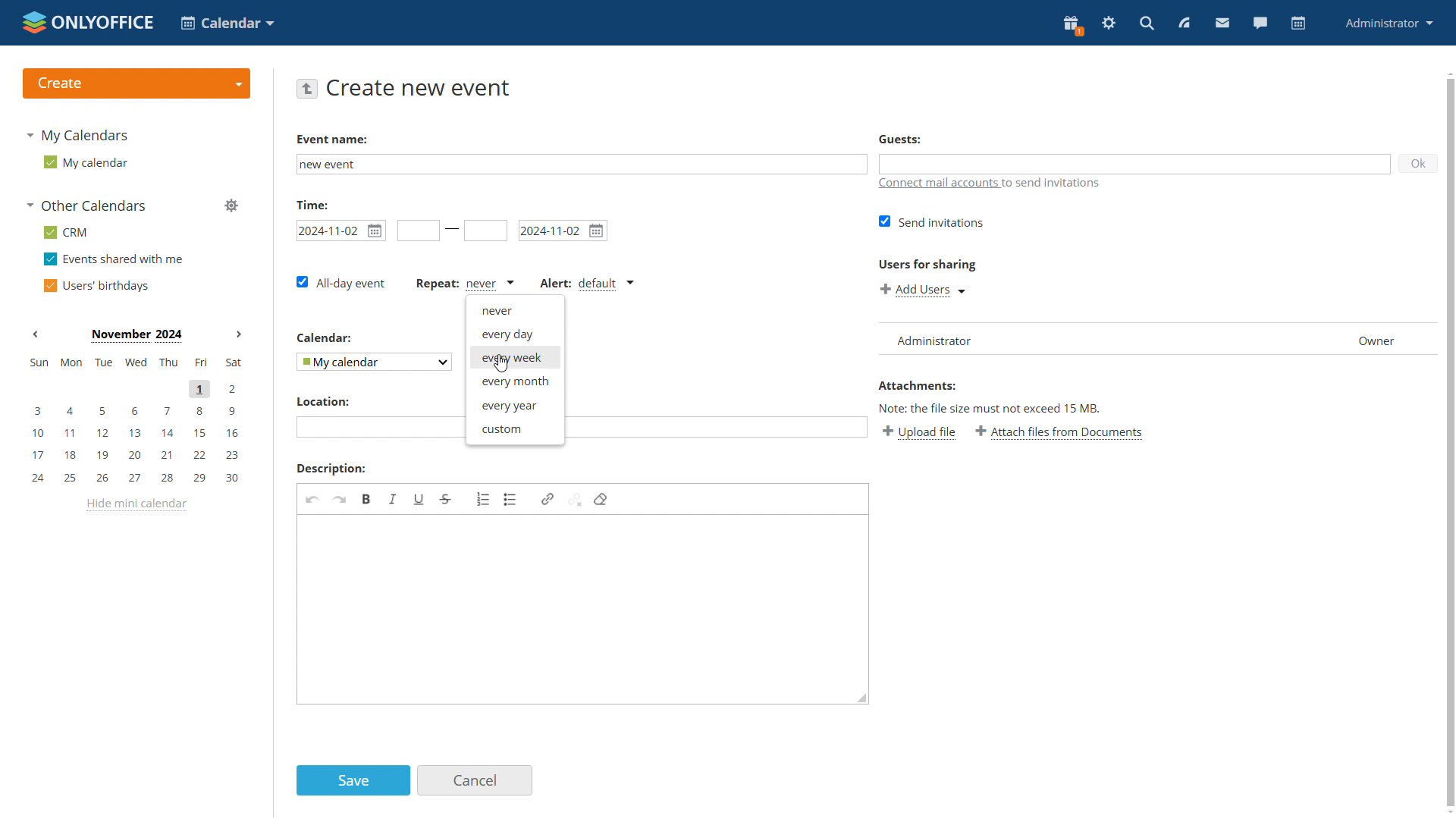  I want to click on event altert type, so click(585, 285).